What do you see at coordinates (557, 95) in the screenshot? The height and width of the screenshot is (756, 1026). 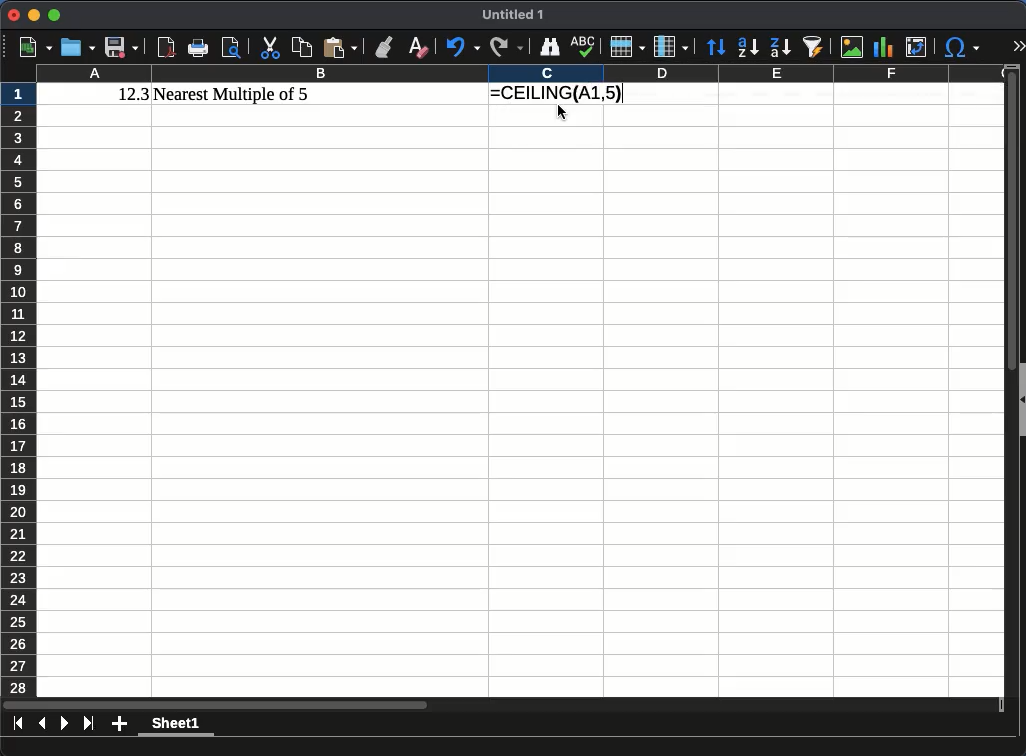 I see `=CEILING(A1,5)` at bounding box center [557, 95].